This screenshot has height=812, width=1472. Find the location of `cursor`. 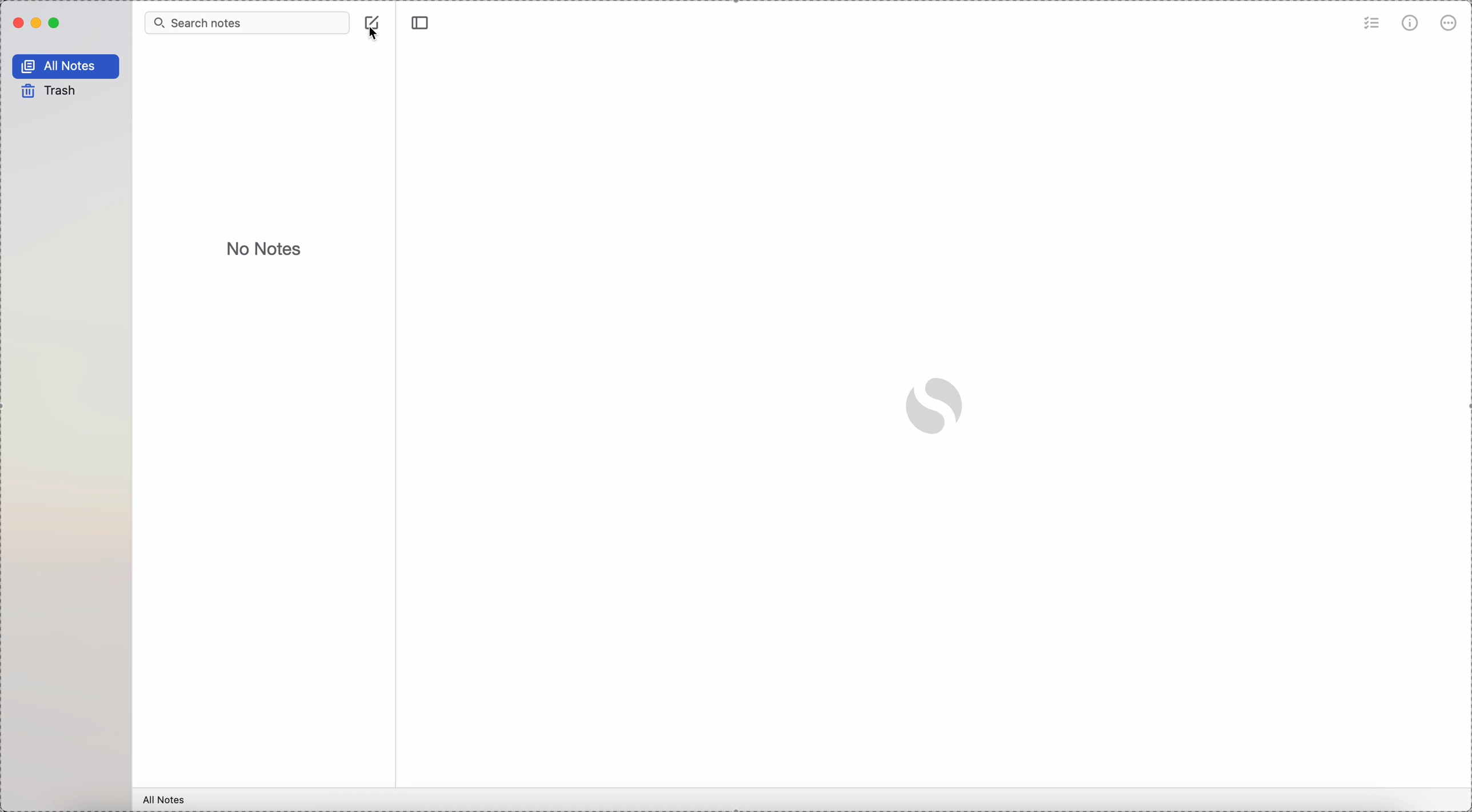

cursor is located at coordinates (375, 35).